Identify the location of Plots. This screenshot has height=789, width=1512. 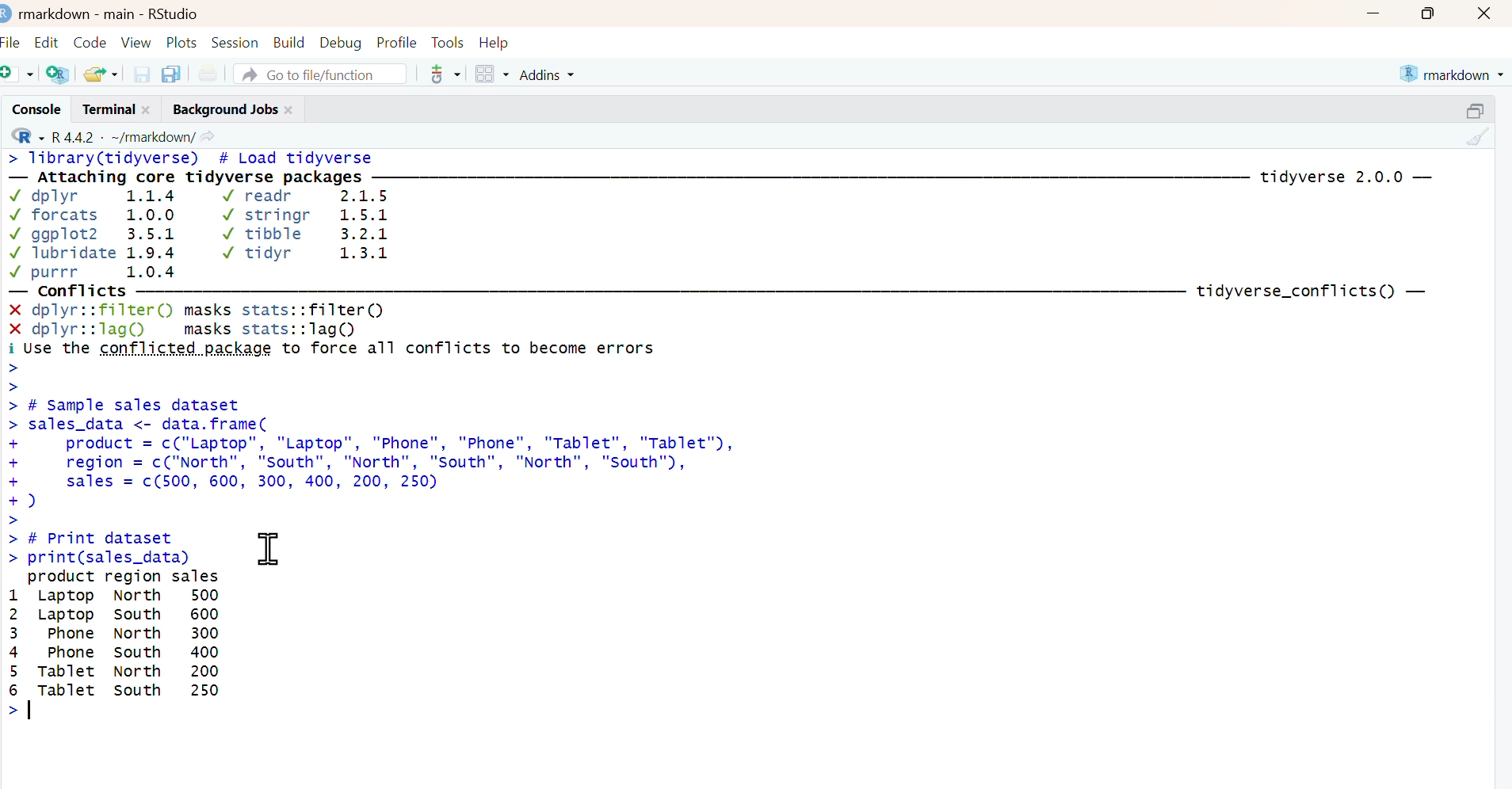
(182, 40).